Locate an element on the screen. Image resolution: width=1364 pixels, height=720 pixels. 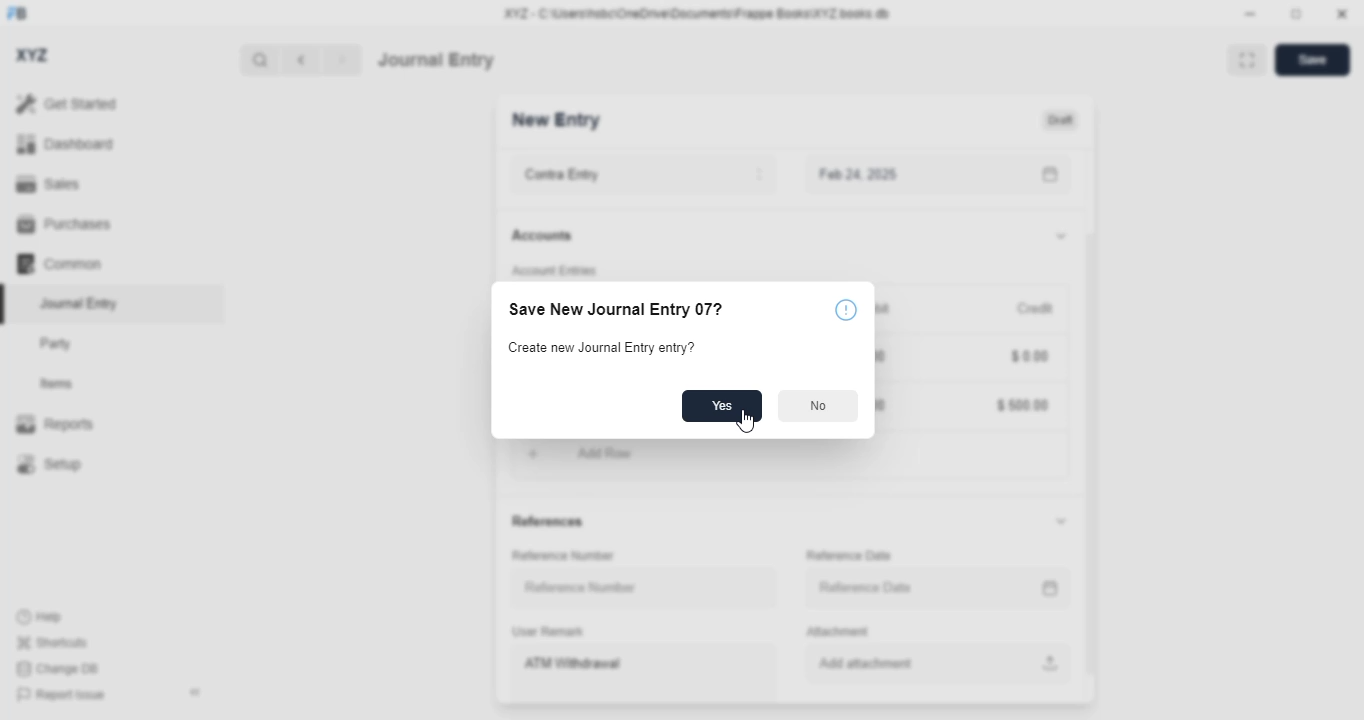
XYZ - C:\Users\hsbc\OneDrive\Documents\Frappe Books\XYZ books. db is located at coordinates (697, 14).